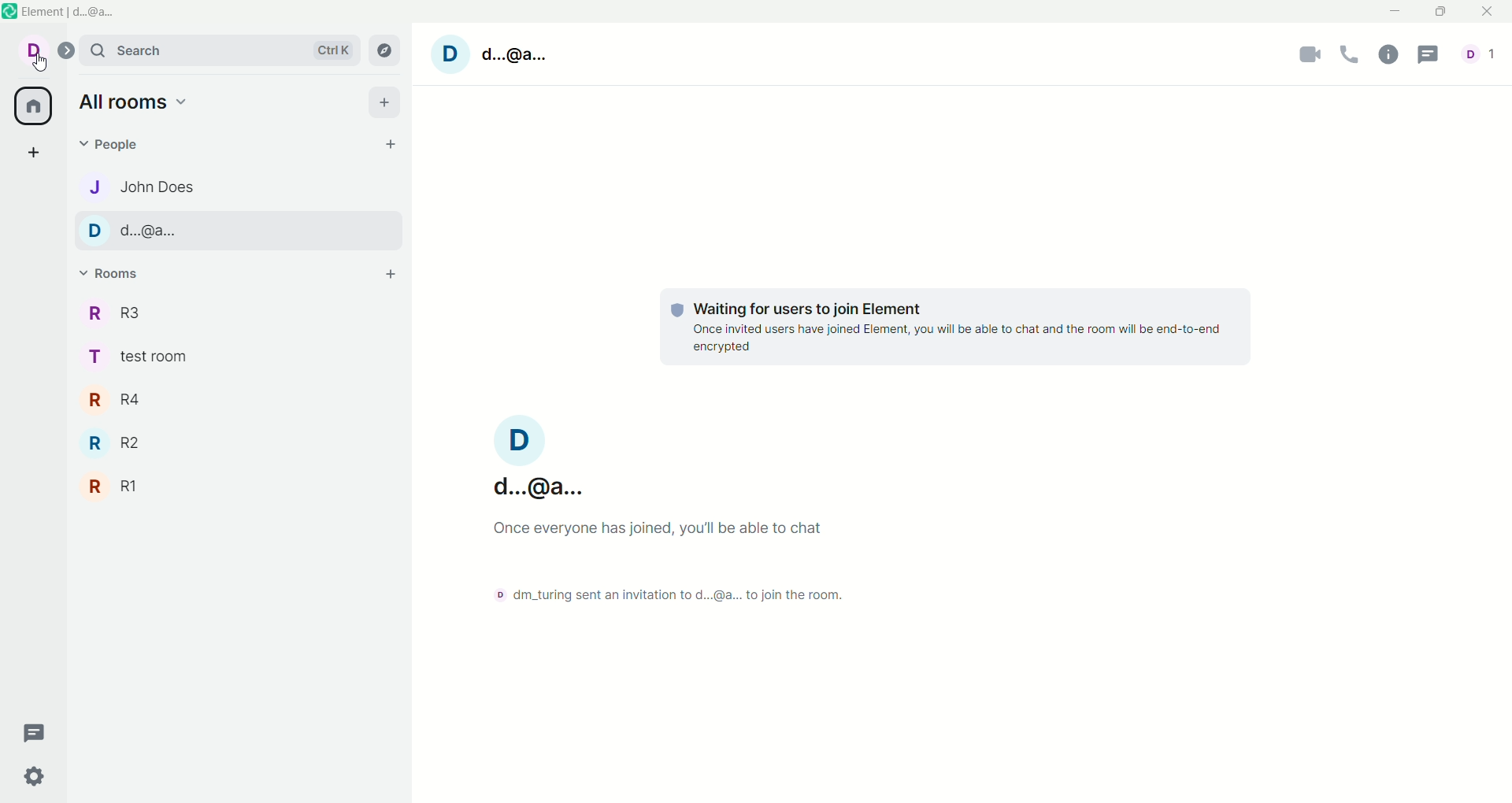 This screenshot has height=803, width=1512. Describe the element at coordinates (1482, 58) in the screenshot. I see `people` at that location.